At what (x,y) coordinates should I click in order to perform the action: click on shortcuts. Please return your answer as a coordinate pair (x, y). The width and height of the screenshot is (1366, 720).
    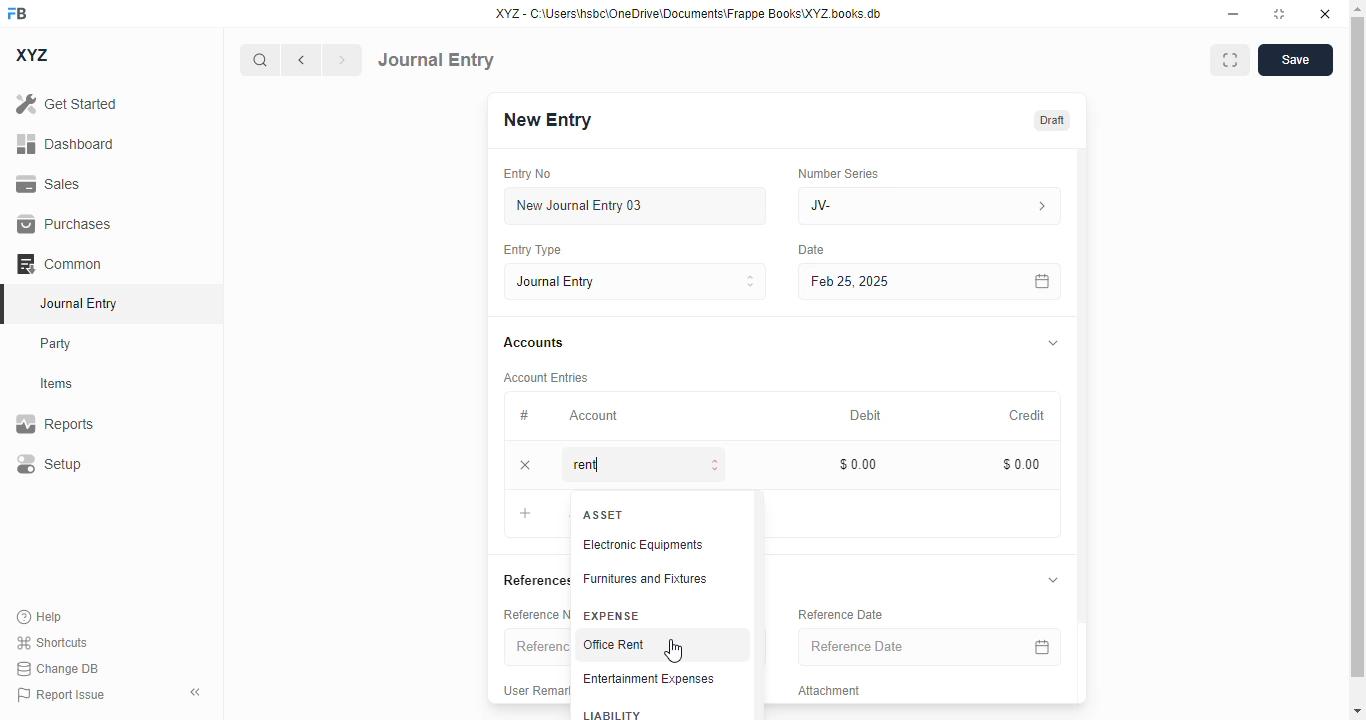
    Looking at the image, I should click on (51, 642).